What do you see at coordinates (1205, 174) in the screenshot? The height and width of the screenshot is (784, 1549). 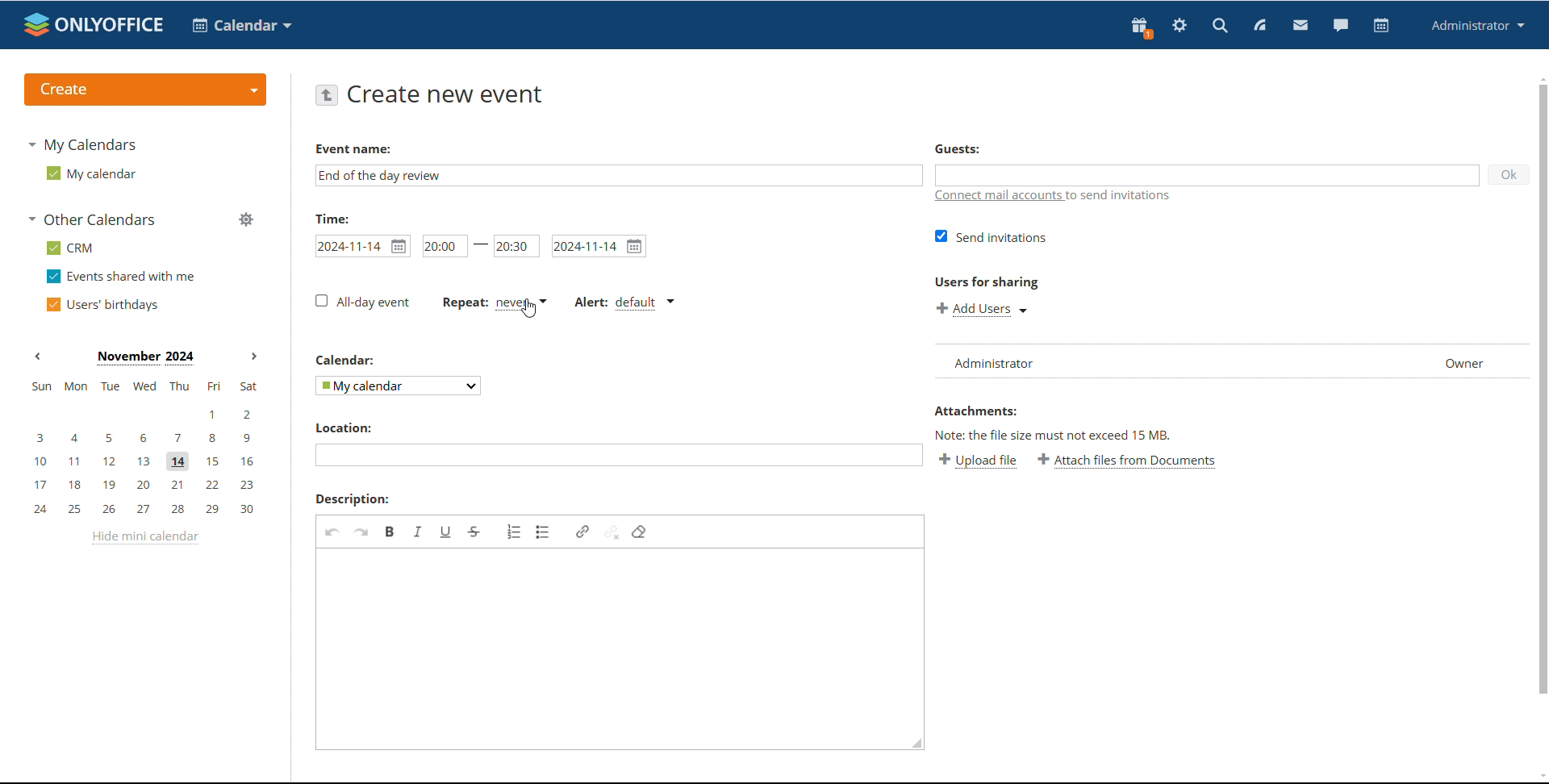 I see `add guests` at bounding box center [1205, 174].